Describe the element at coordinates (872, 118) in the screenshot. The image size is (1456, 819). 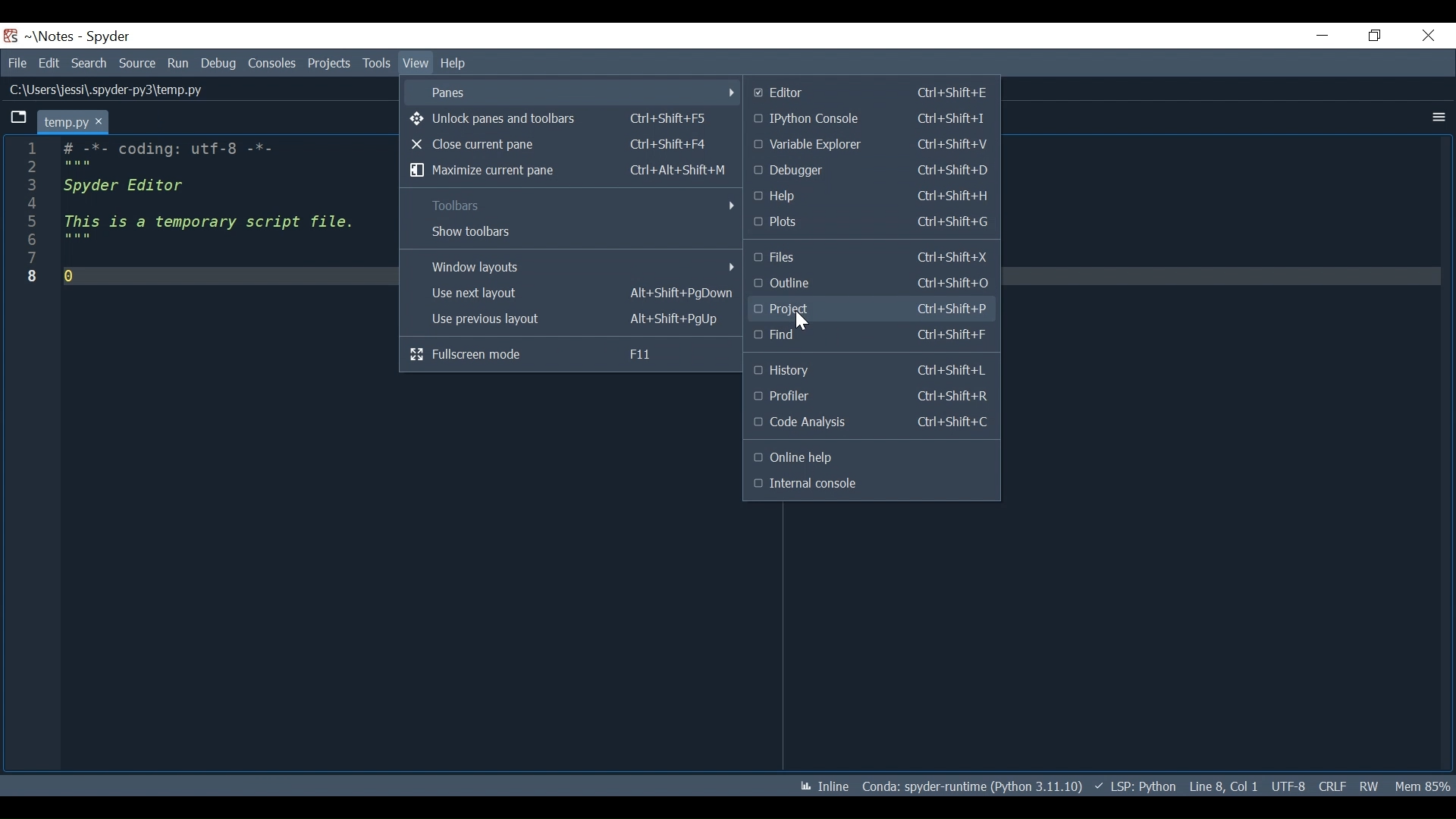
I see `IPython Console` at that location.